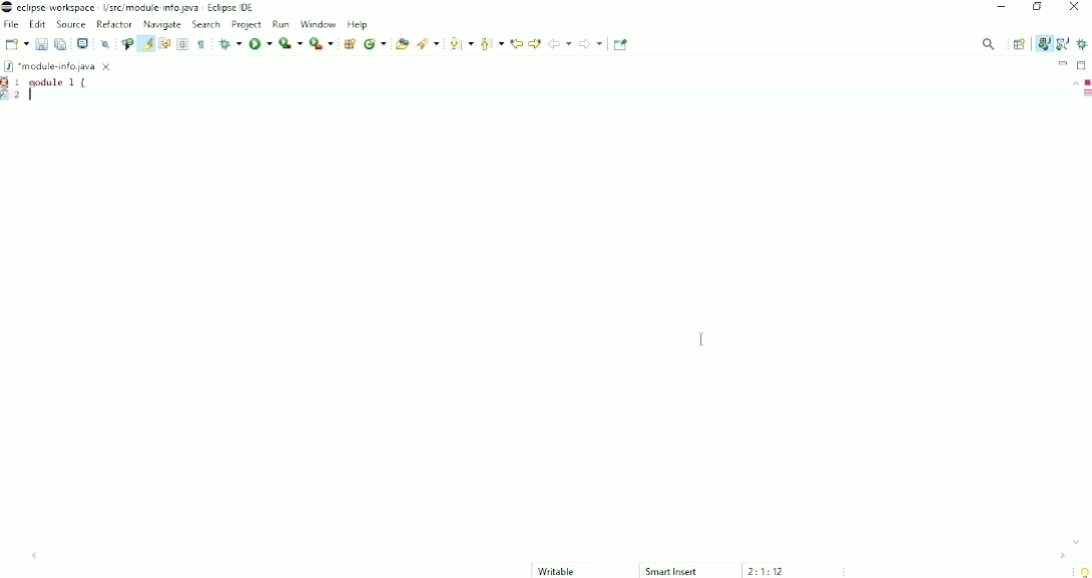 The width and height of the screenshot is (1092, 578). Describe the element at coordinates (1003, 8) in the screenshot. I see `Minimize` at that location.